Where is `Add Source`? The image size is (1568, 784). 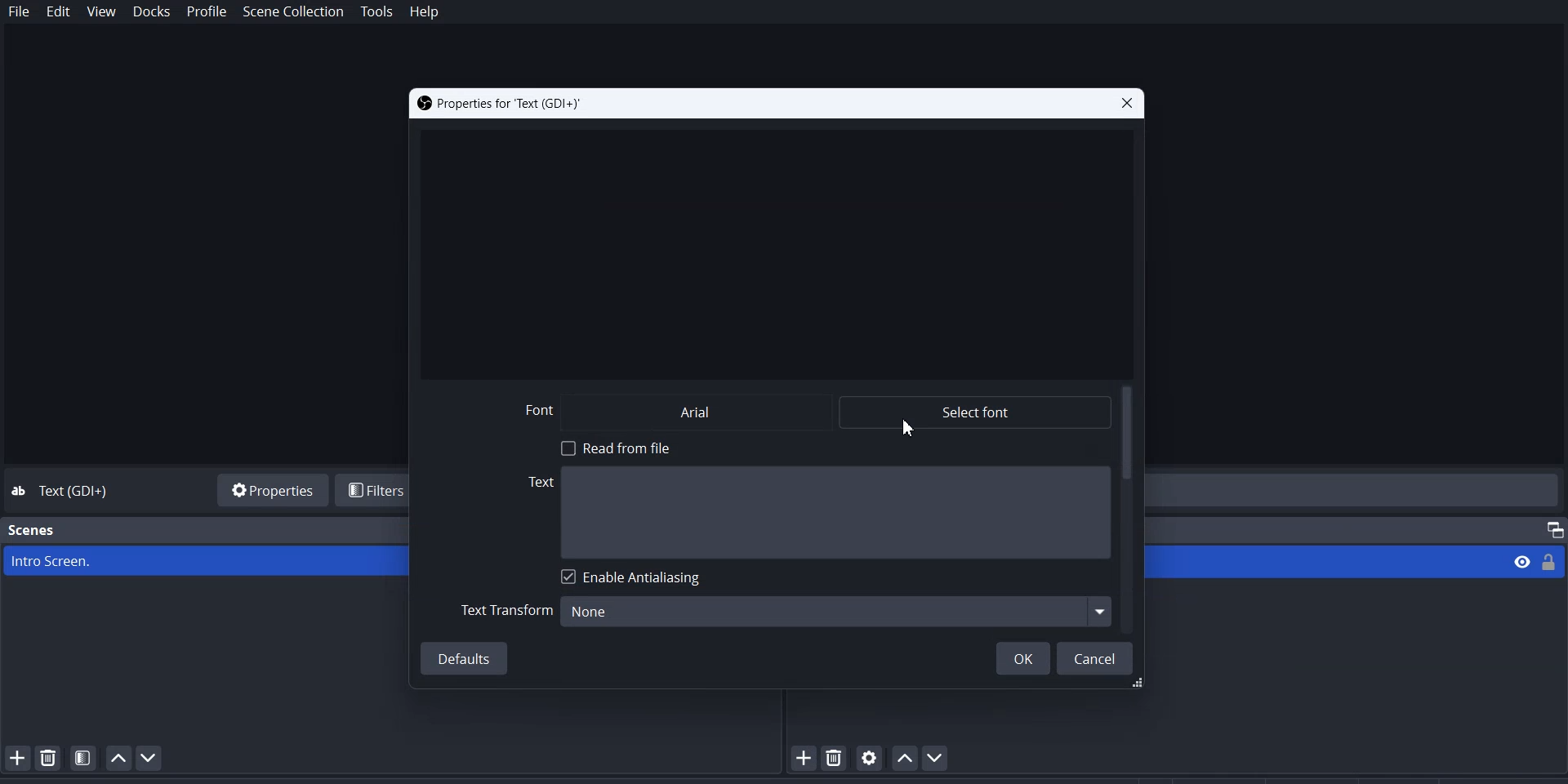 Add Source is located at coordinates (804, 758).